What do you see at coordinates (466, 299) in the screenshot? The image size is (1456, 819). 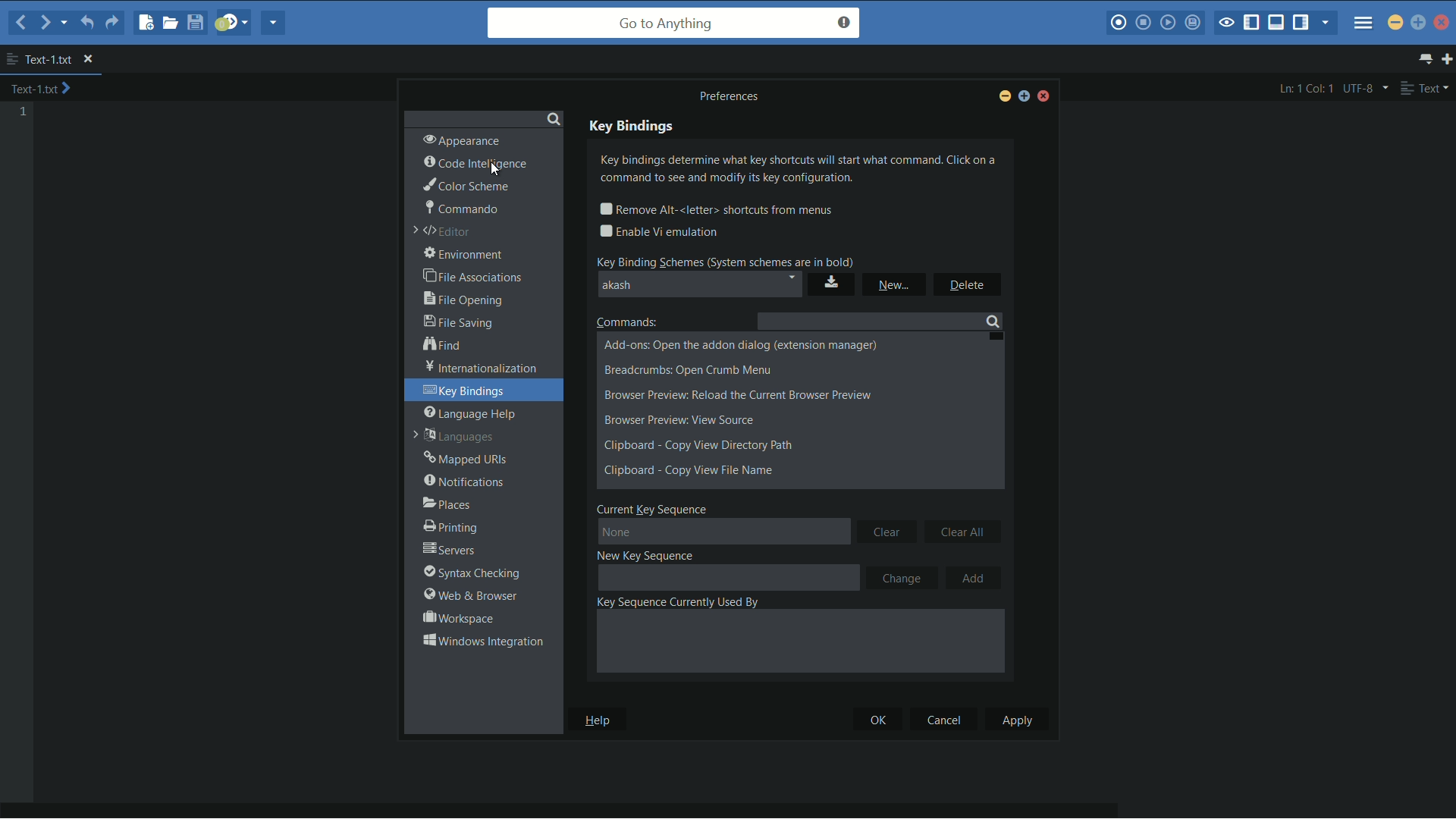 I see `file opening` at bounding box center [466, 299].